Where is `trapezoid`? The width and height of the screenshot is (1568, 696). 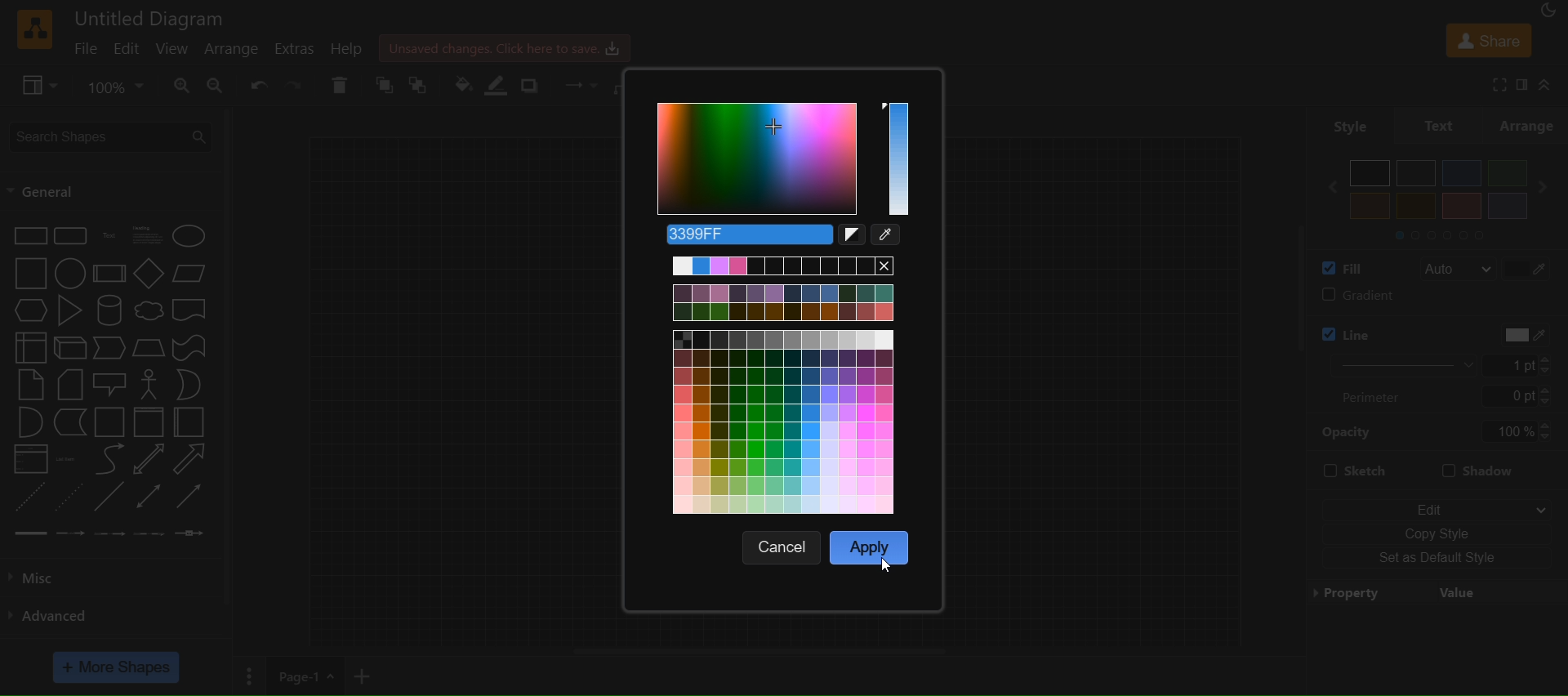 trapezoid is located at coordinates (149, 348).